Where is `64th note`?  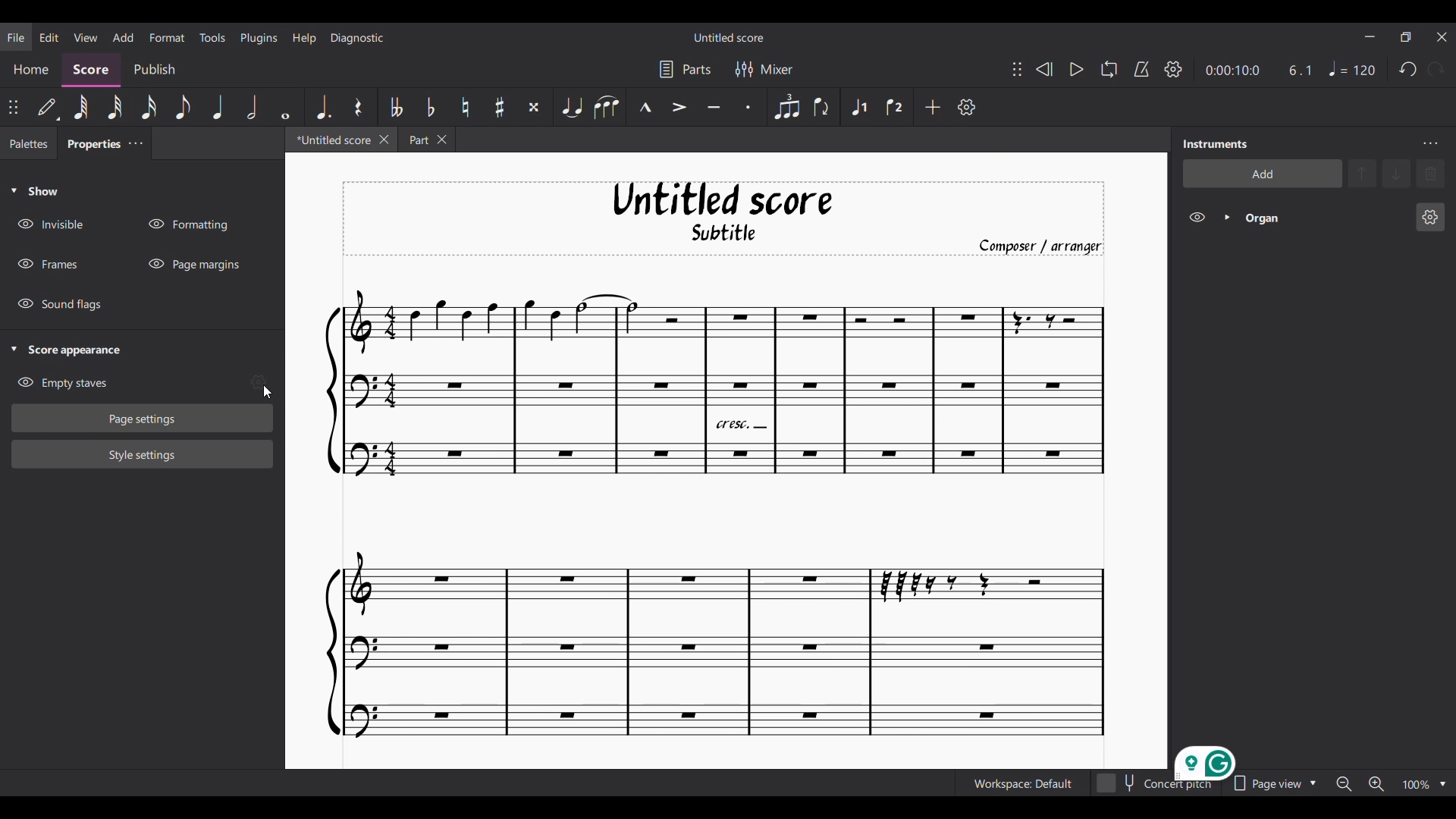
64th note is located at coordinates (80, 107).